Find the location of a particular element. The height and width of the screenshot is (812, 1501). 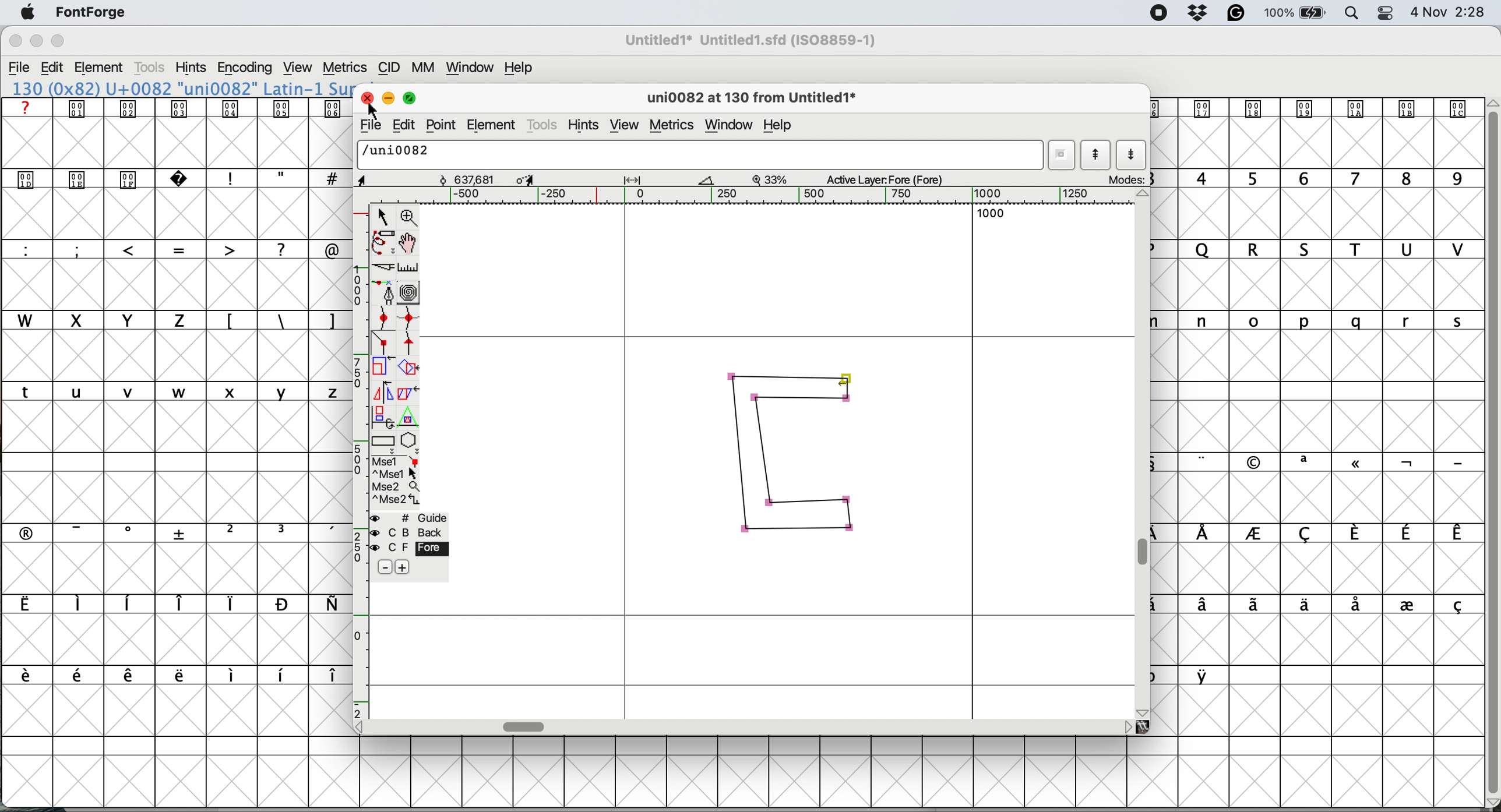

rotate the selection is located at coordinates (409, 369).